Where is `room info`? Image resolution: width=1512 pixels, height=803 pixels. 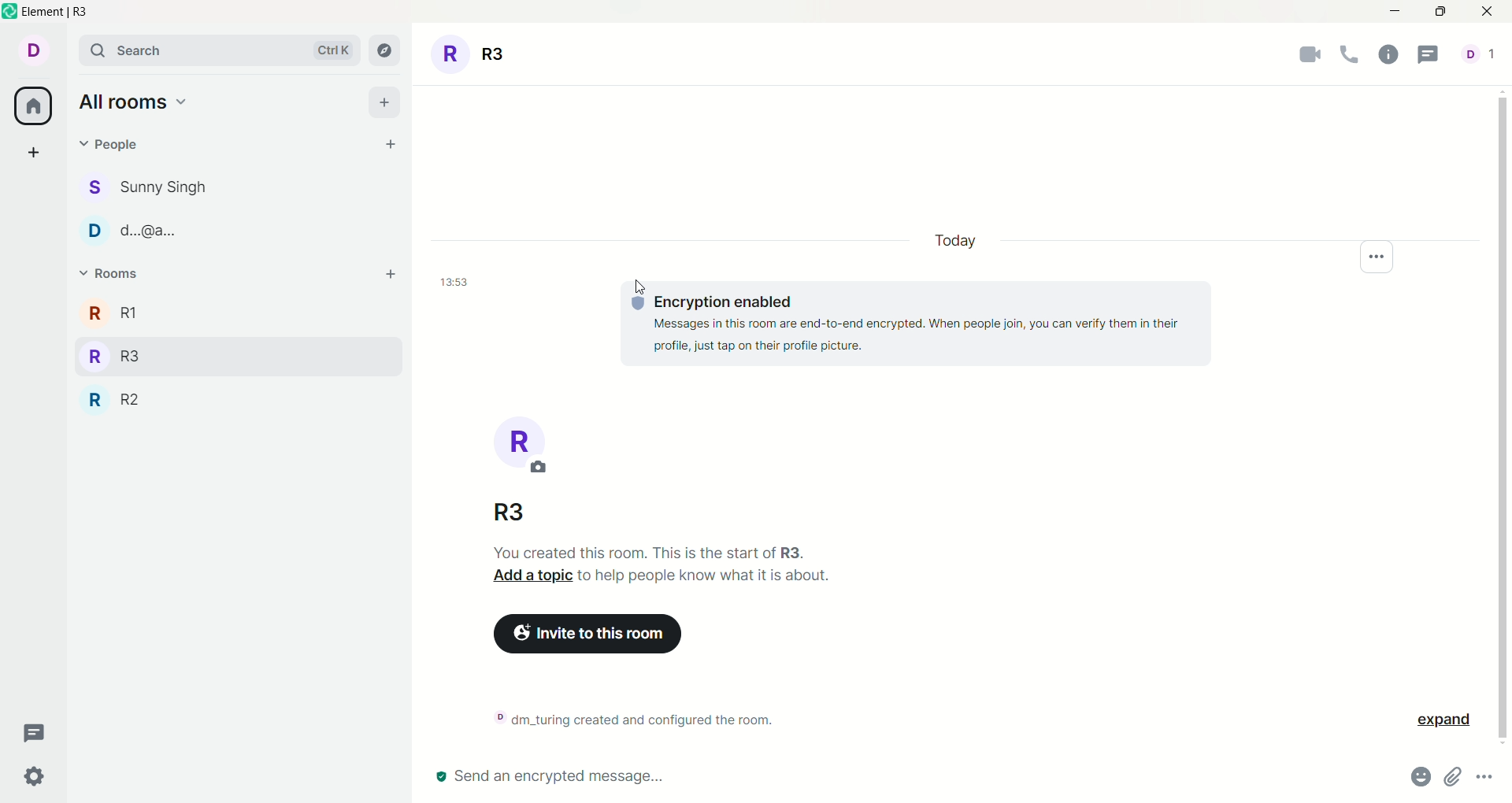 room info is located at coordinates (1388, 60).